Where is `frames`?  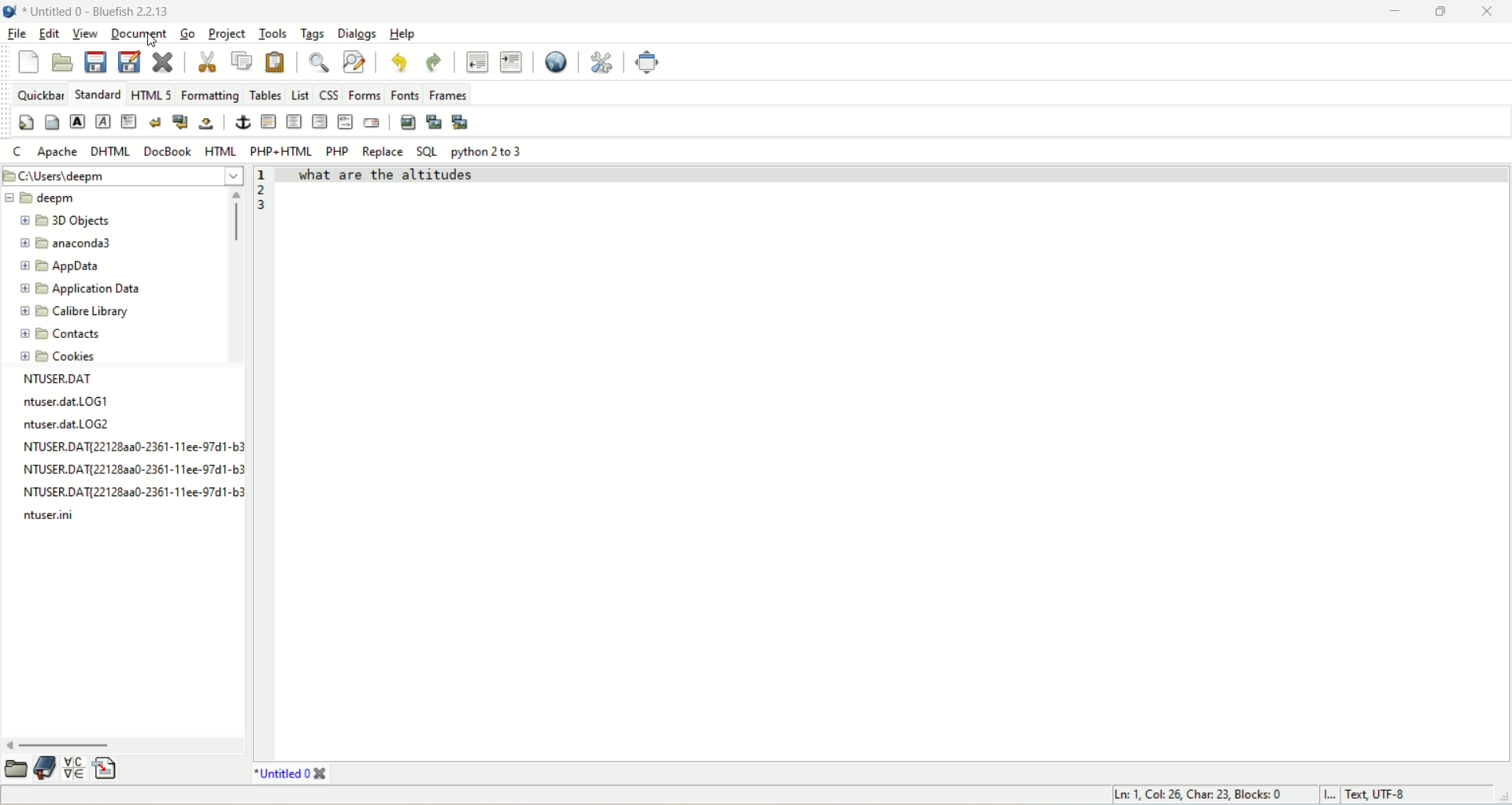
frames is located at coordinates (448, 94).